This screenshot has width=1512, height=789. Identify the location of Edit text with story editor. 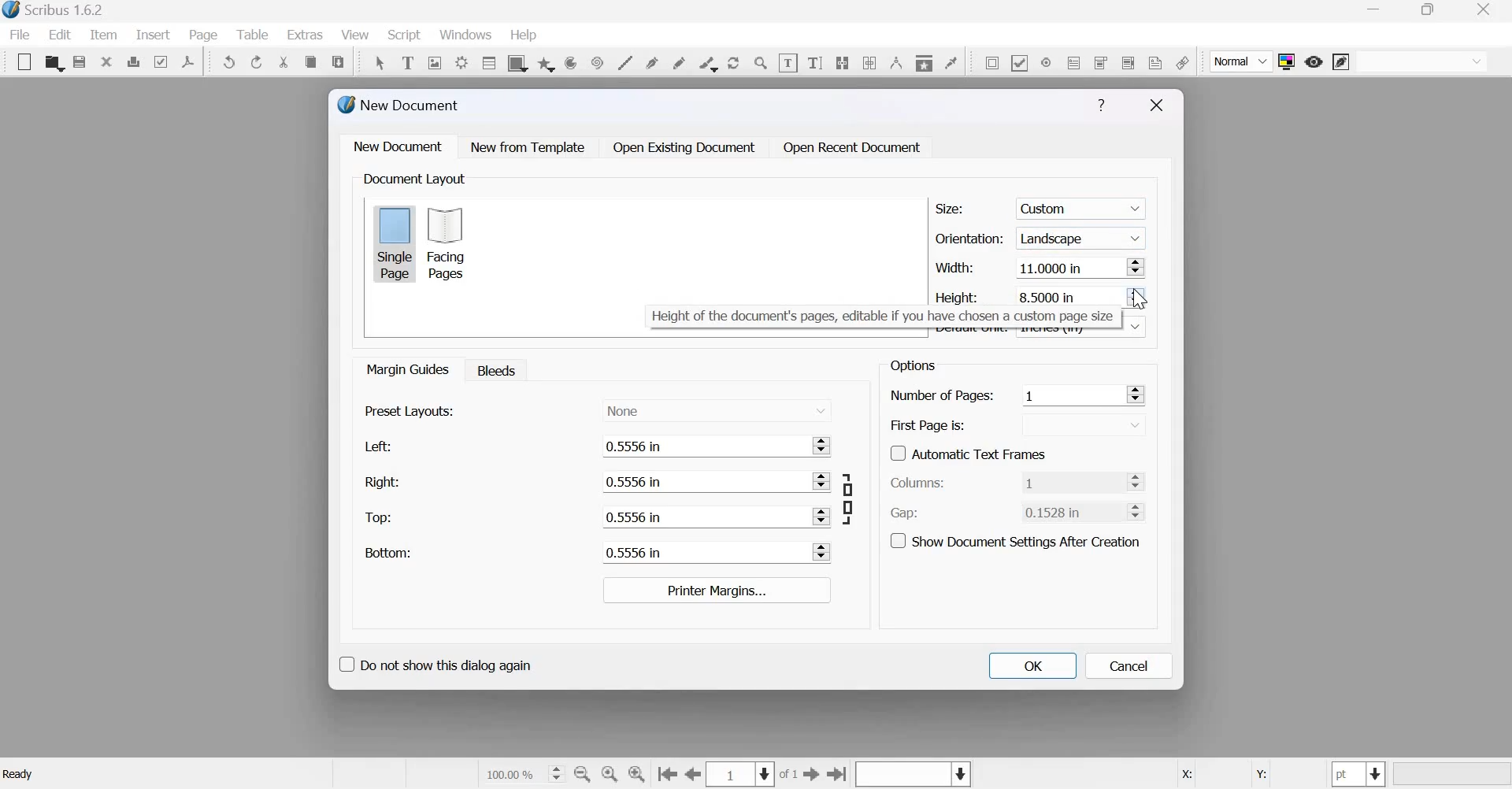
(815, 61).